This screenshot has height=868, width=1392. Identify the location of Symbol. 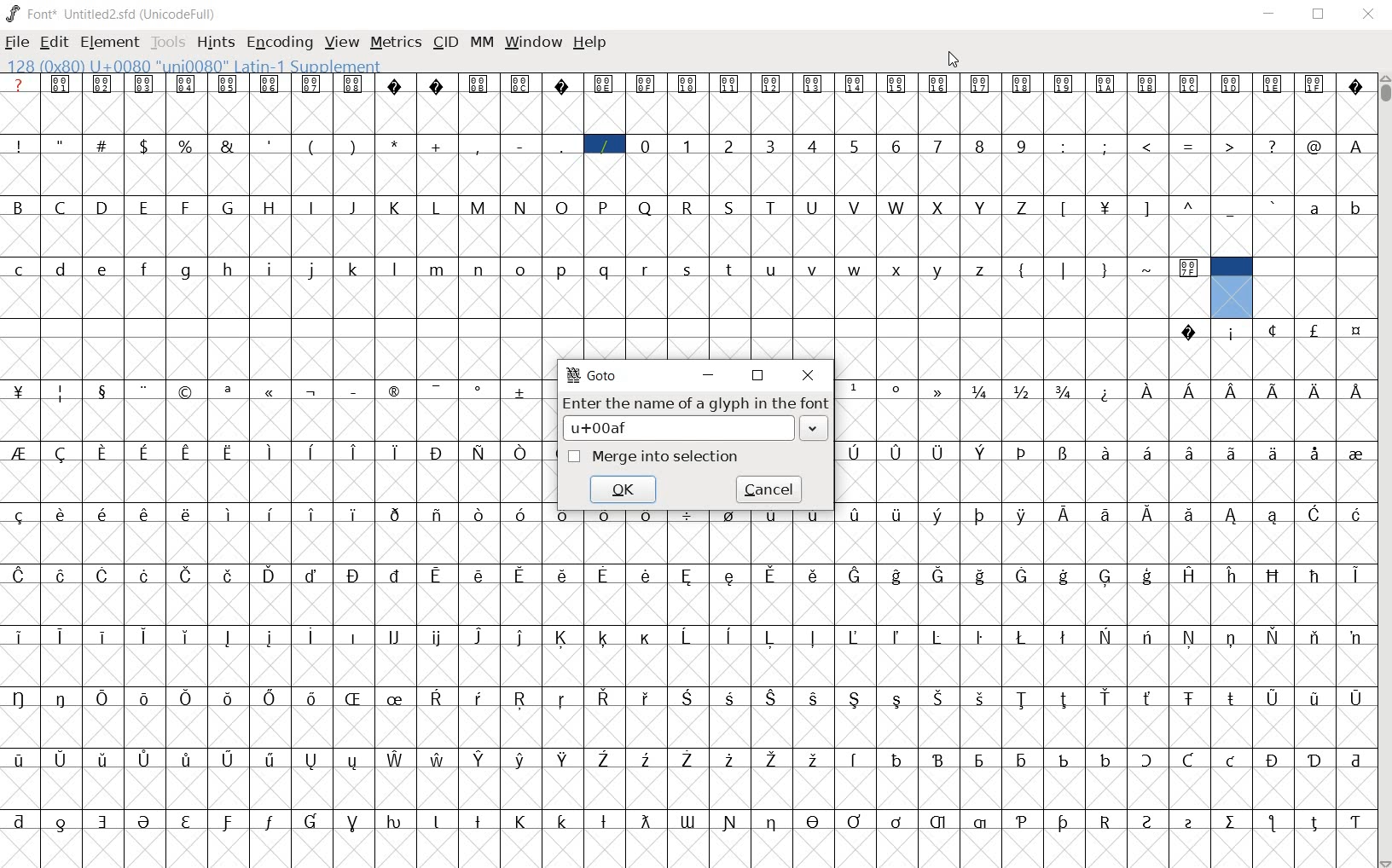
(395, 85).